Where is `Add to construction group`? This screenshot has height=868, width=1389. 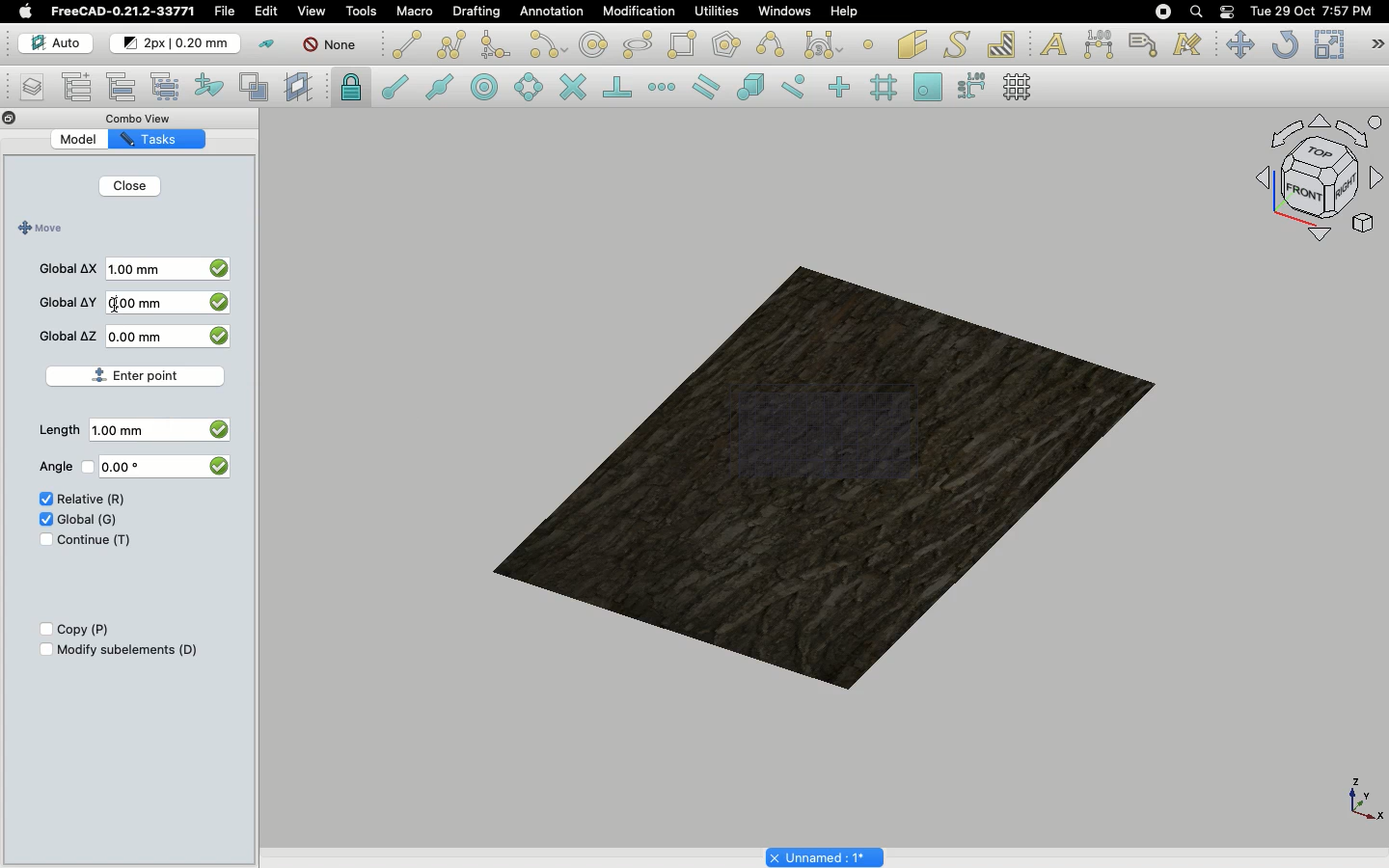 Add to construction group is located at coordinates (210, 84).